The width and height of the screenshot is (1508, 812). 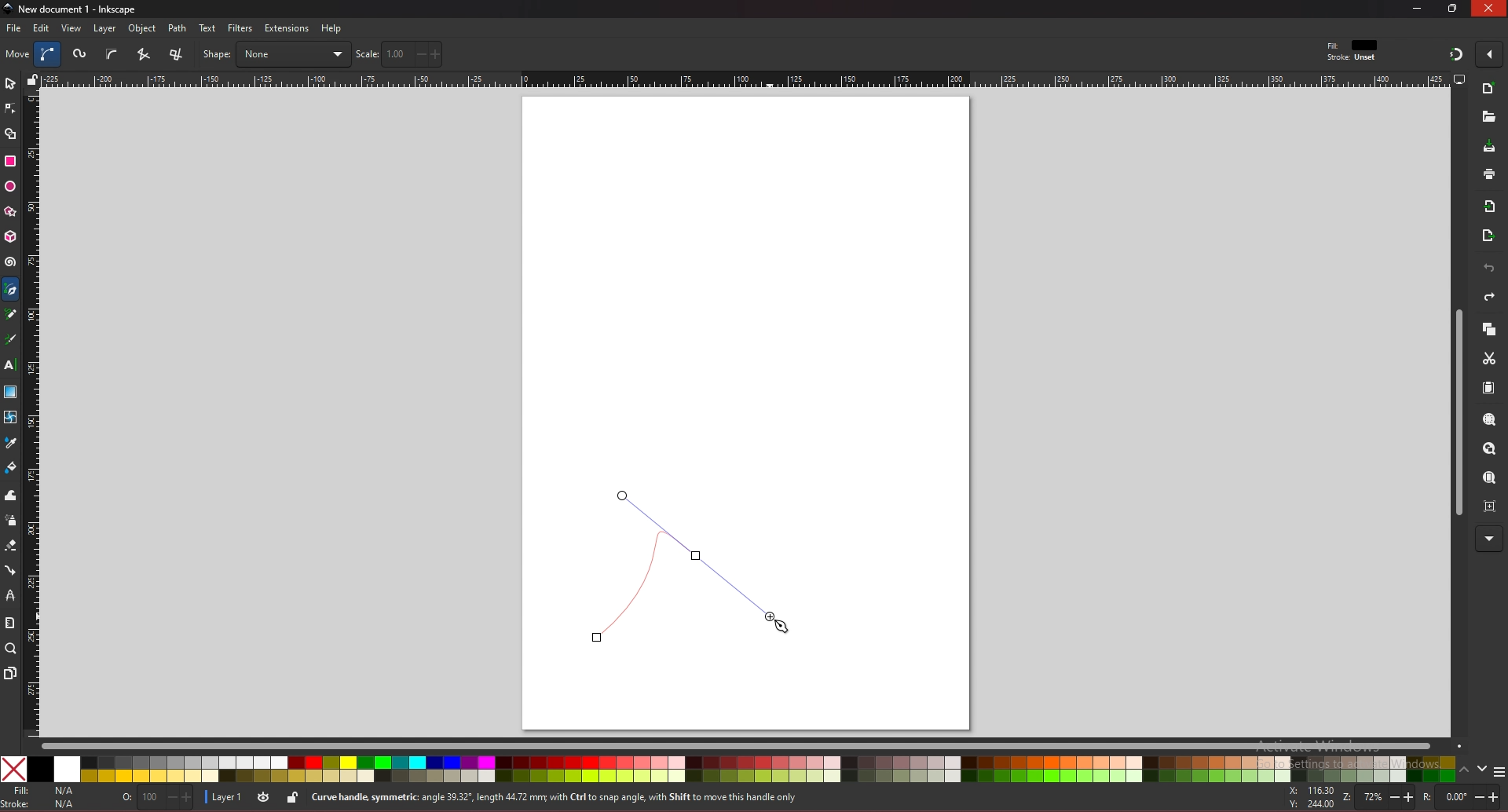 What do you see at coordinates (1488, 117) in the screenshot?
I see `new` at bounding box center [1488, 117].